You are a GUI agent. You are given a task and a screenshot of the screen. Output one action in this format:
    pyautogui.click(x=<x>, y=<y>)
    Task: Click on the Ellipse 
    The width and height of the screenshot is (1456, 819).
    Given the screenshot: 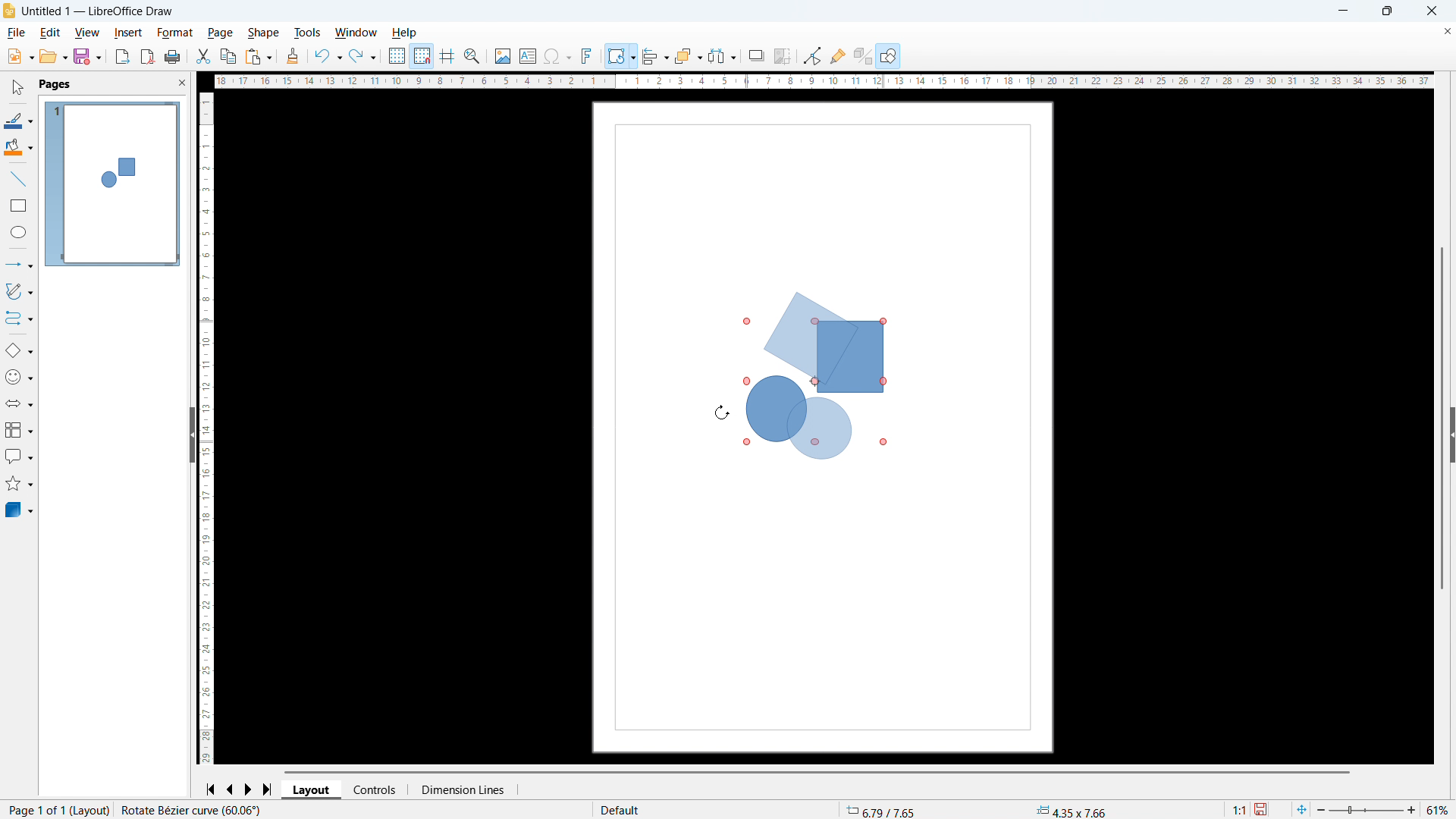 What is the action you would take?
    pyautogui.click(x=20, y=232)
    